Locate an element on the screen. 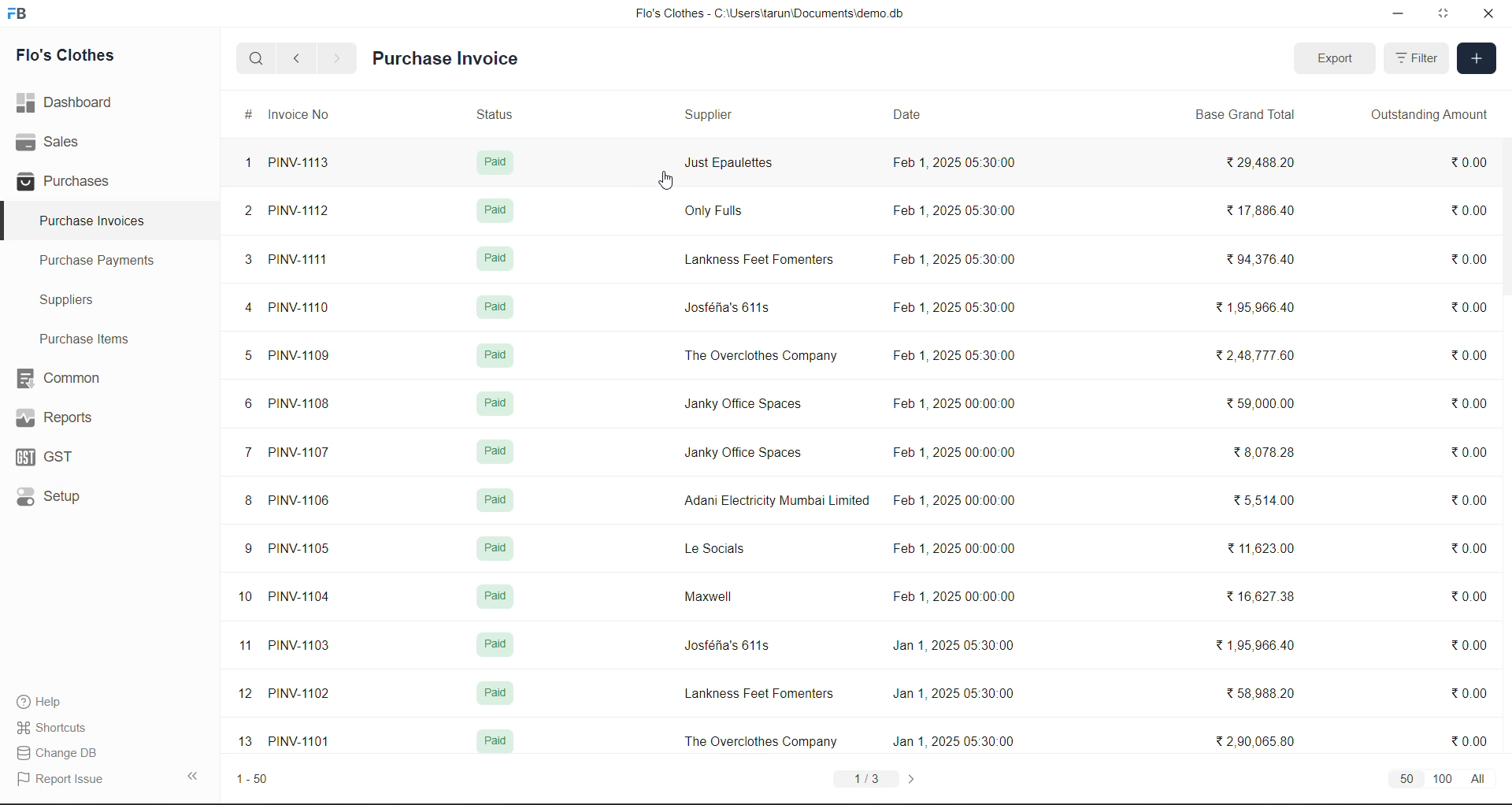  1-50 is located at coordinates (259, 779).